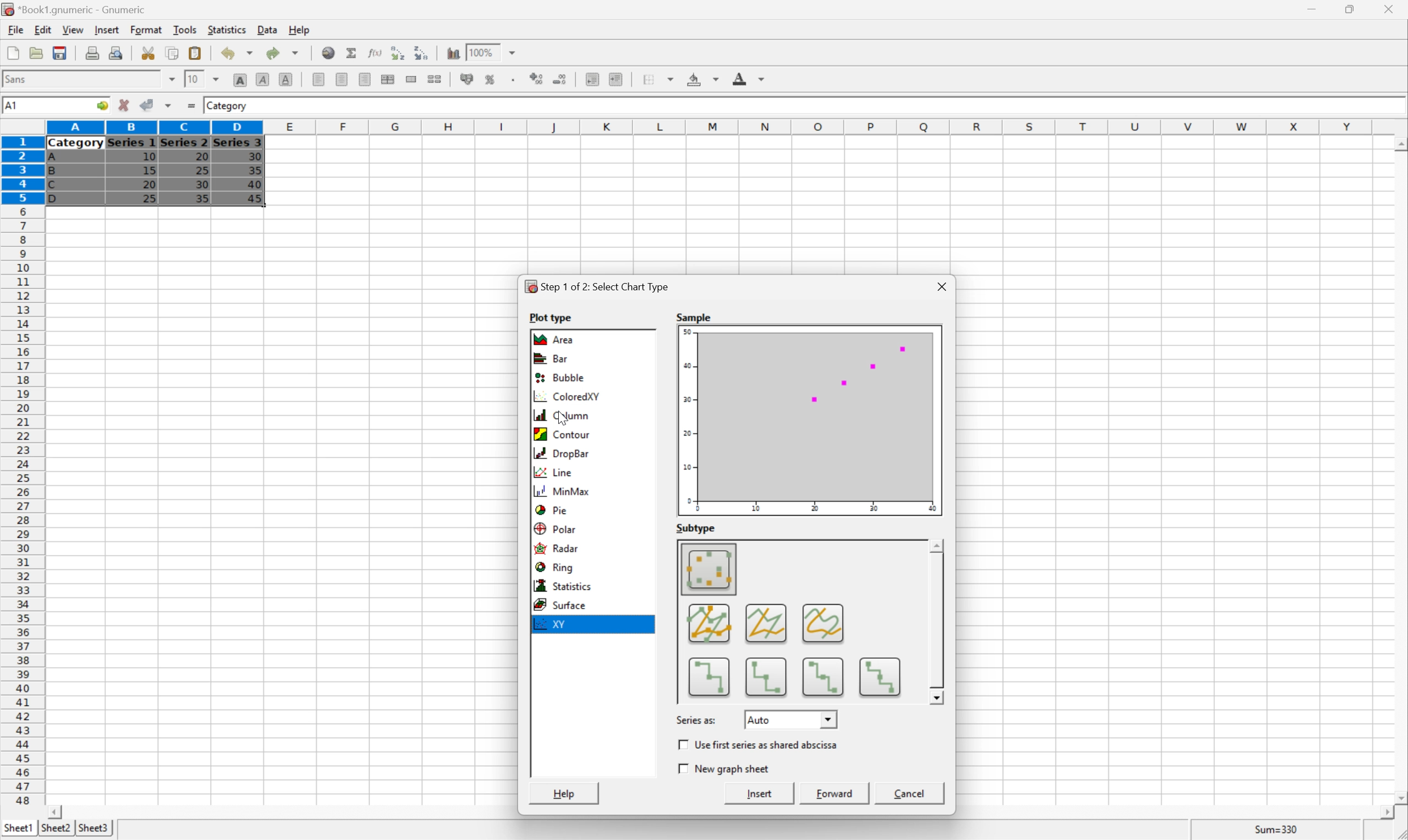 The image size is (1408, 840). Describe the element at coordinates (387, 78) in the screenshot. I see `Center horizontally across selection` at that location.